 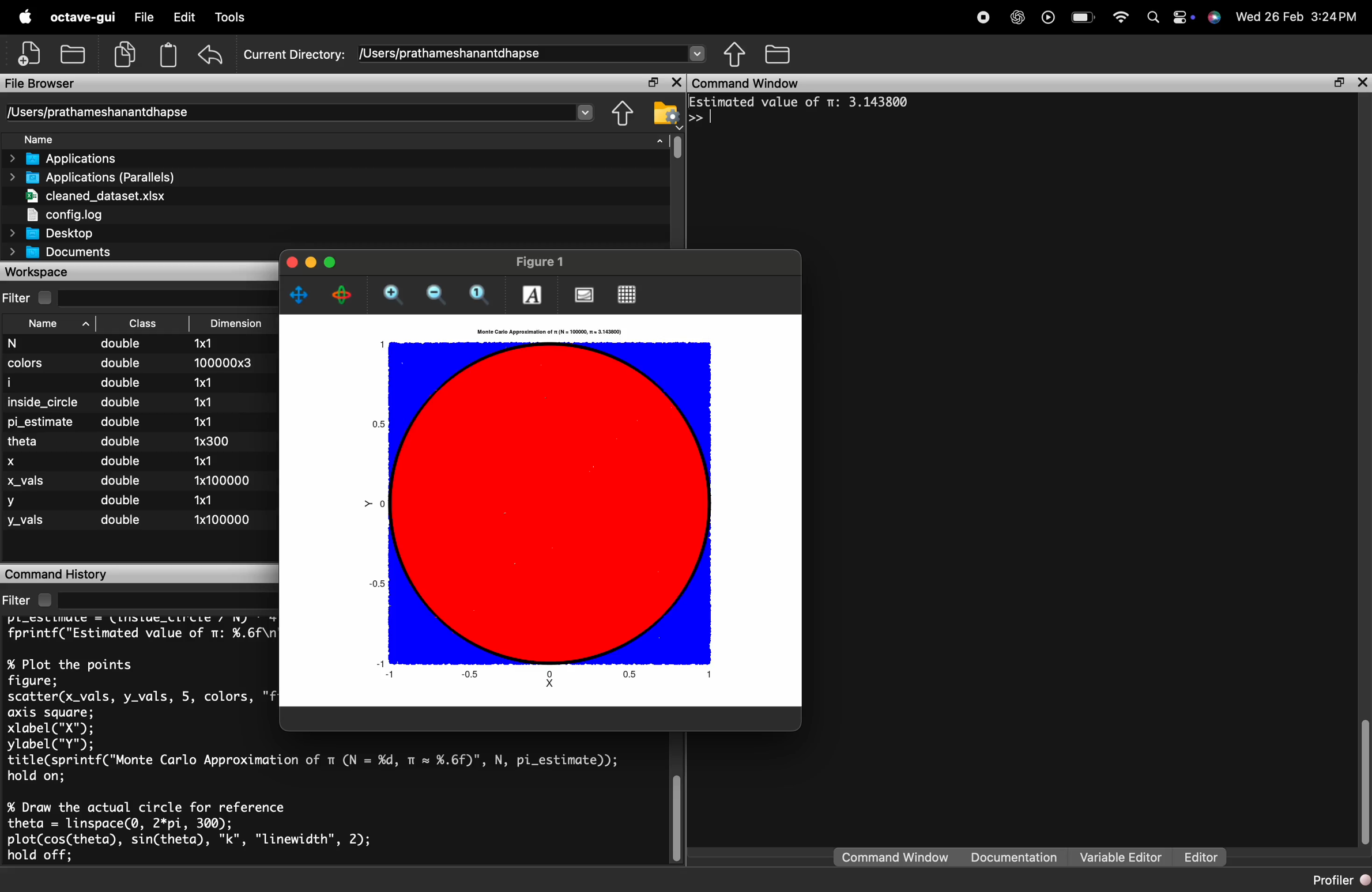 What do you see at coordinates (677, 146) in the screenshot?
I see `Scroll bar` at bounding box center [677, 146].